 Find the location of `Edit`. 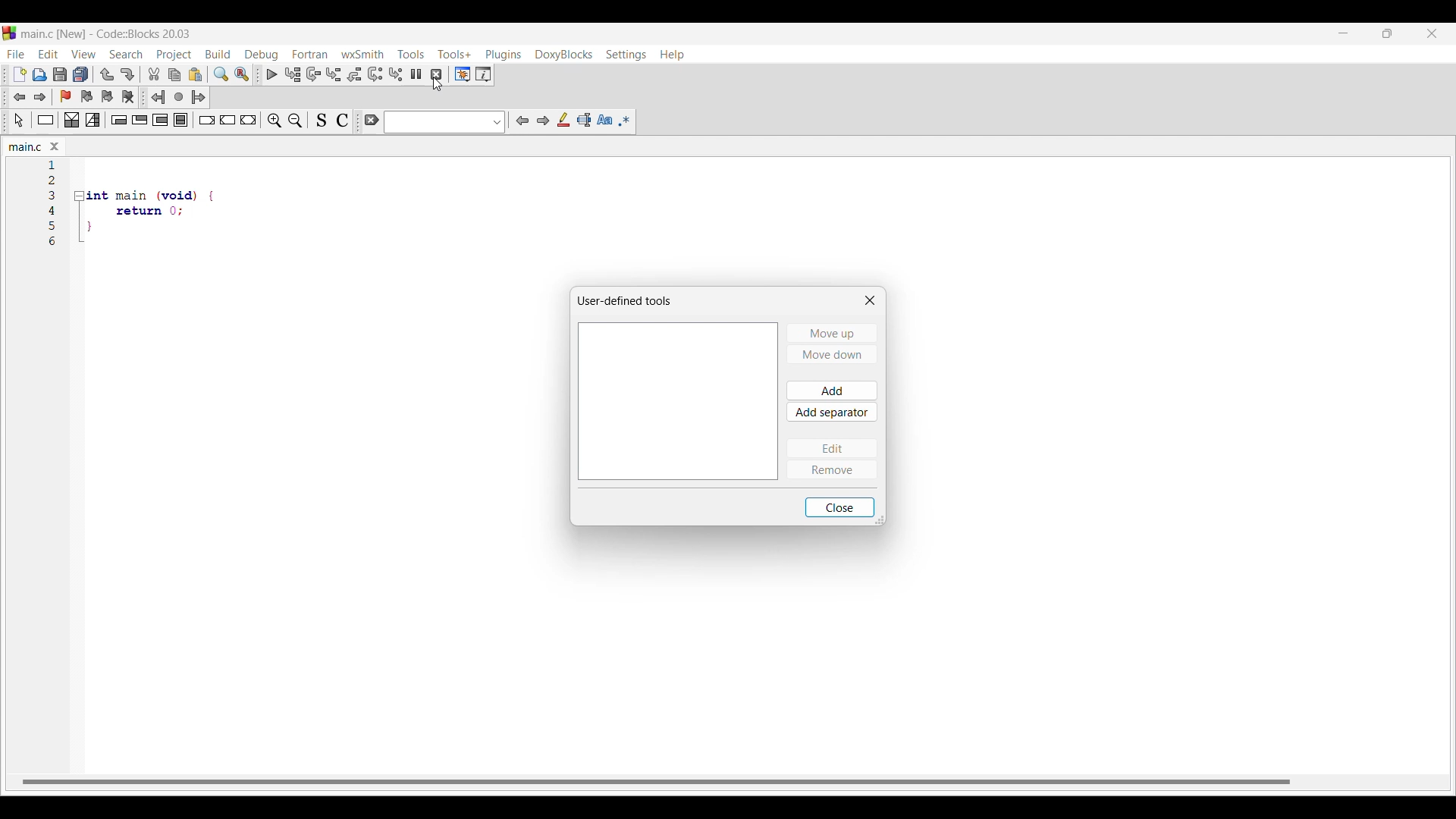

Edit is located at coordinates (833, 448).